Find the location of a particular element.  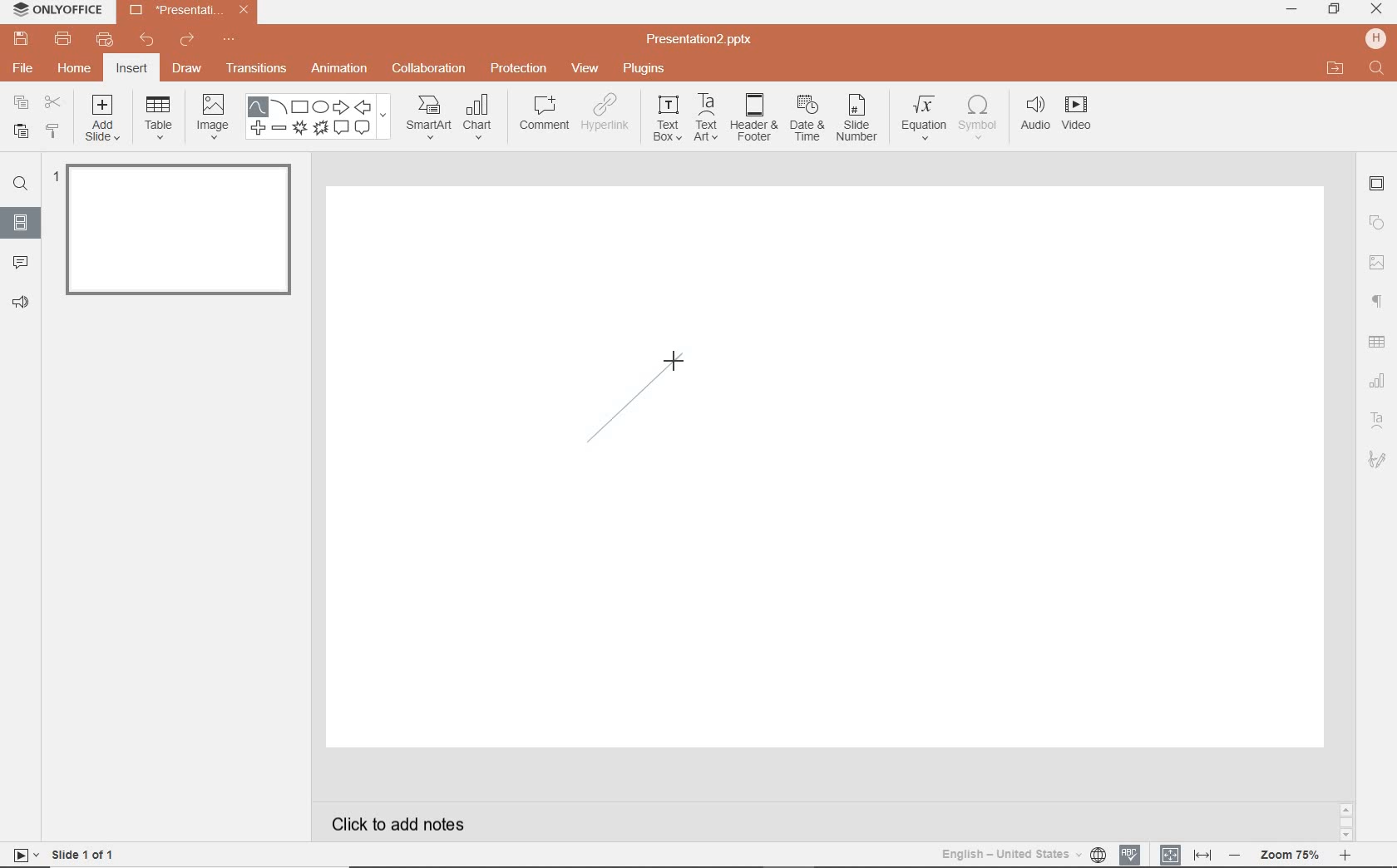

table settings is located at coordinates (1379, 340).